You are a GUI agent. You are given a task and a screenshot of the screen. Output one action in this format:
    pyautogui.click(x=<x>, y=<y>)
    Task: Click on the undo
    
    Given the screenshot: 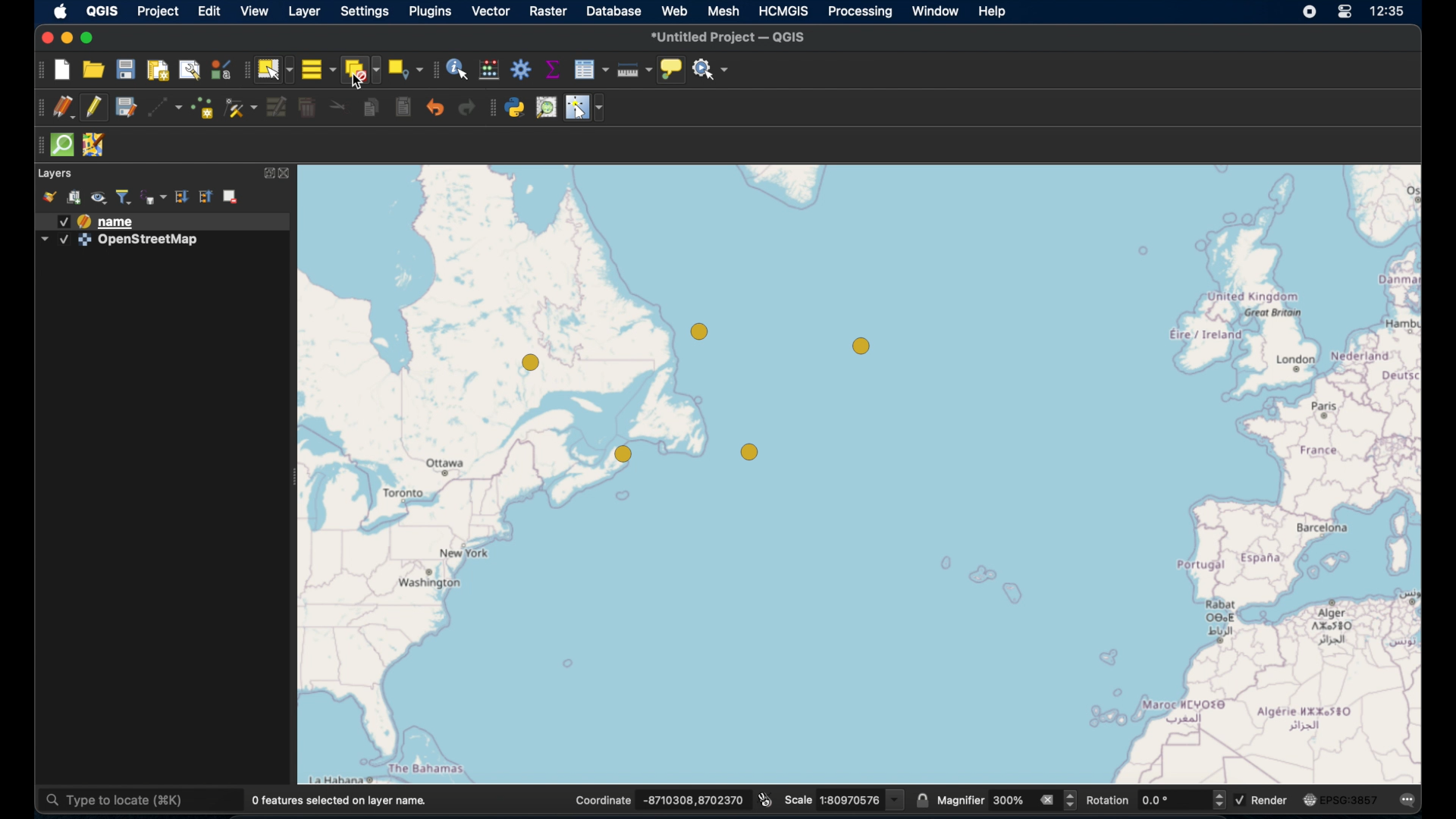 What is the action you would take?
    pyautogui.click(x=436, y=110)
    